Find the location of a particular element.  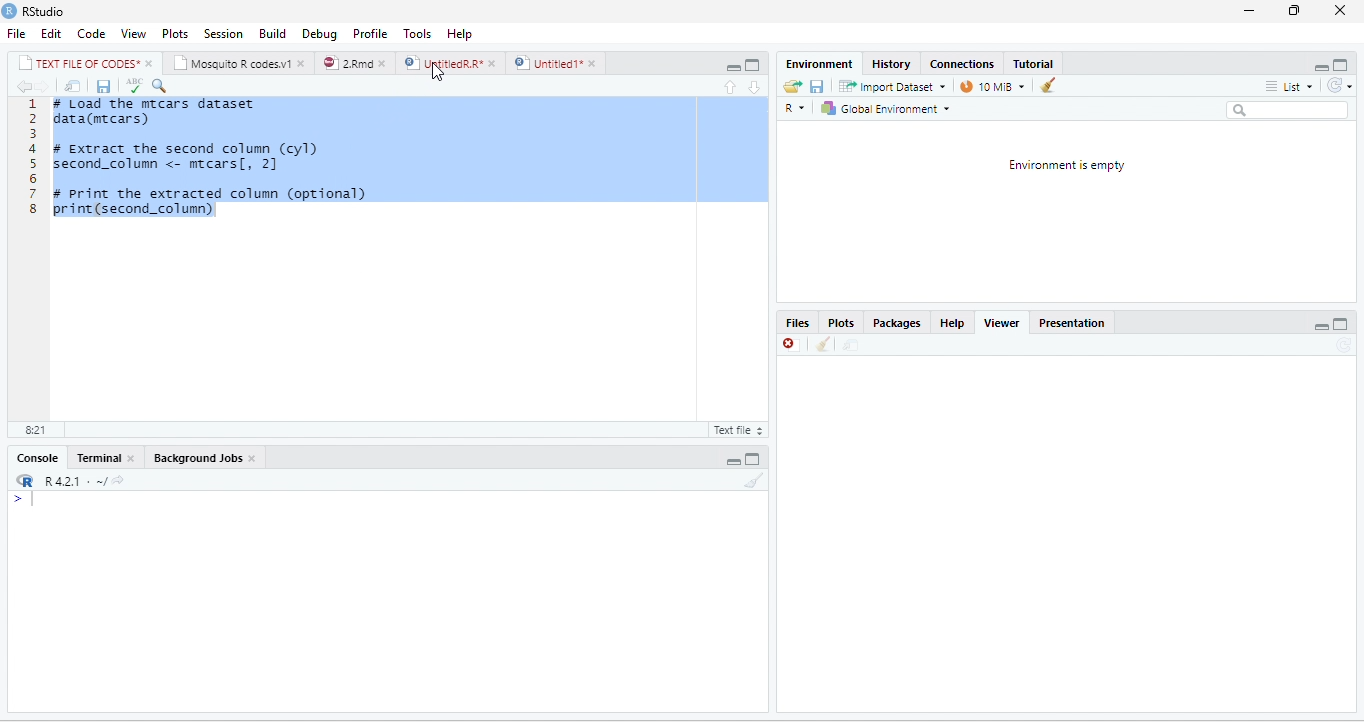

close is located at coordinates (384, 62).